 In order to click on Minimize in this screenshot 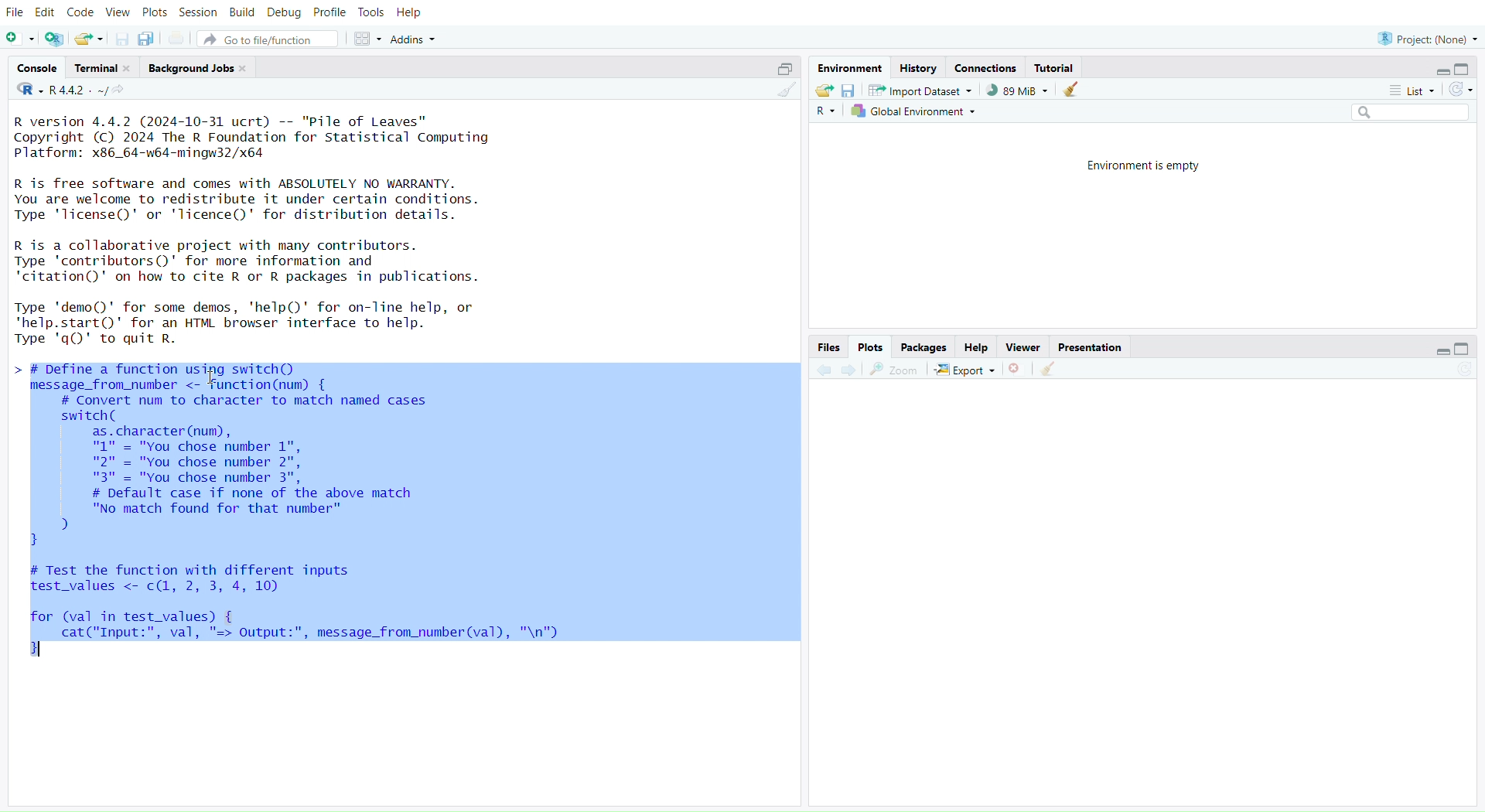, I will do `click(1439, 350)`.